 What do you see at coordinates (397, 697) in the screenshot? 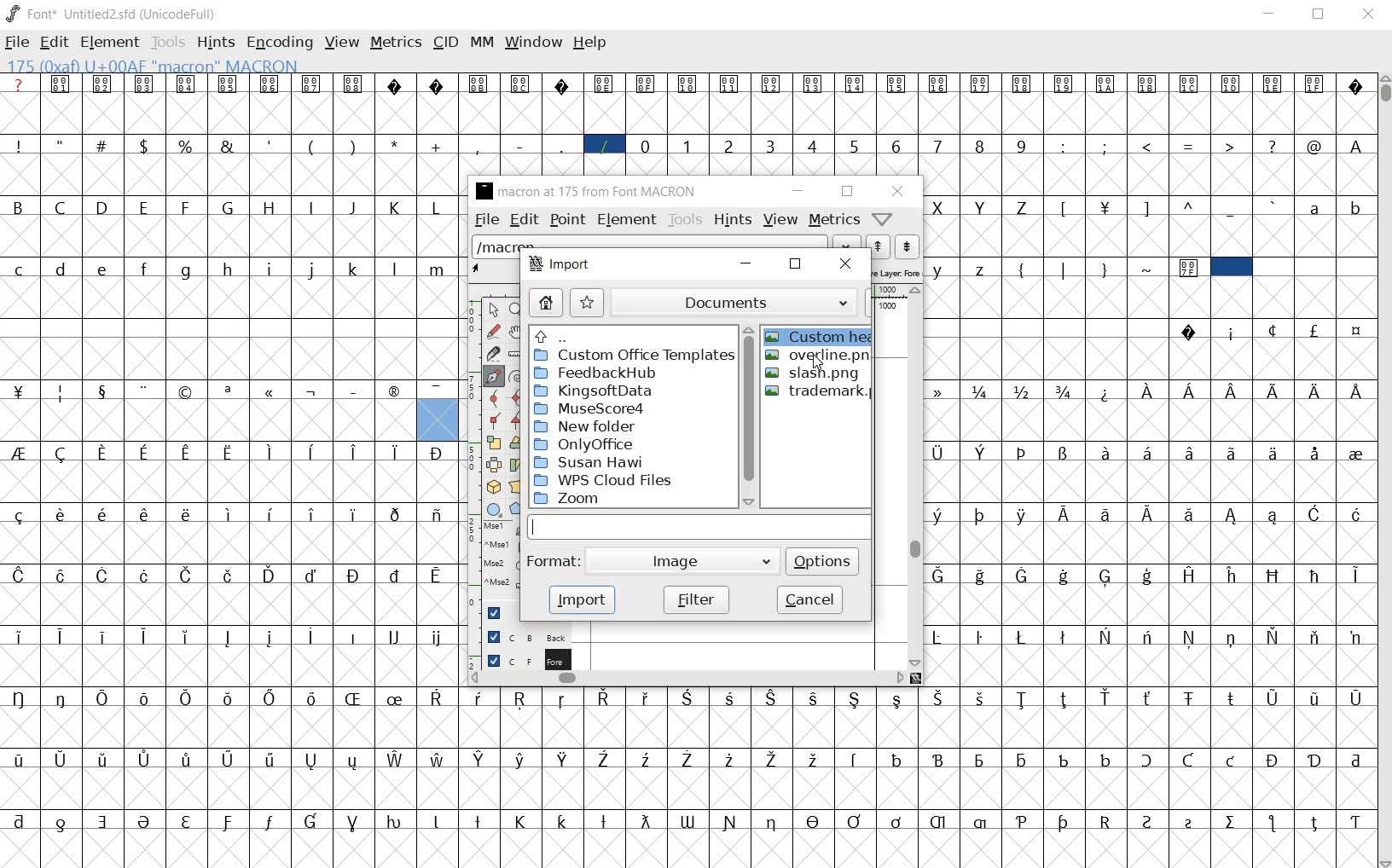
I see `Symbol` at bounding box center [397, 697].